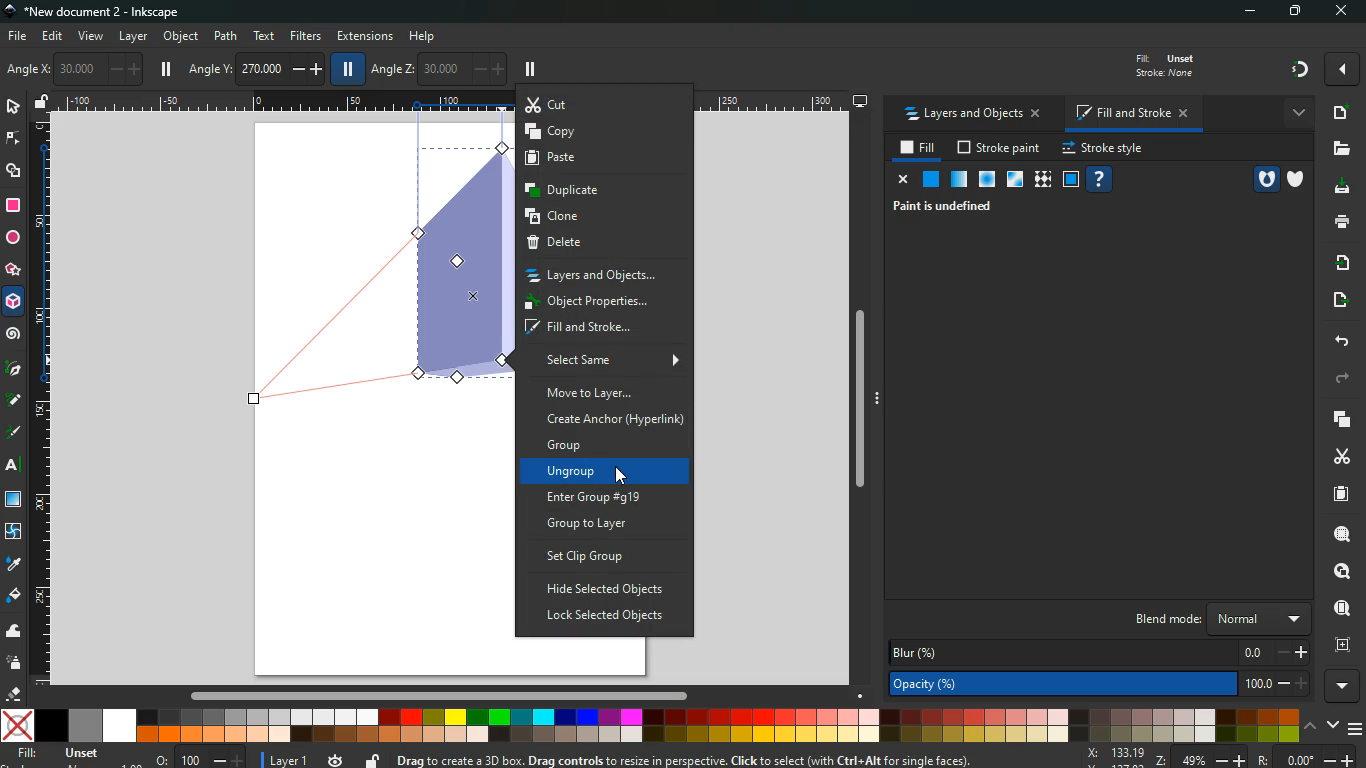  What do you see at coordinates (604, 393) in the screenshot?
I see `move to layer` at bounding box center [604, 393].